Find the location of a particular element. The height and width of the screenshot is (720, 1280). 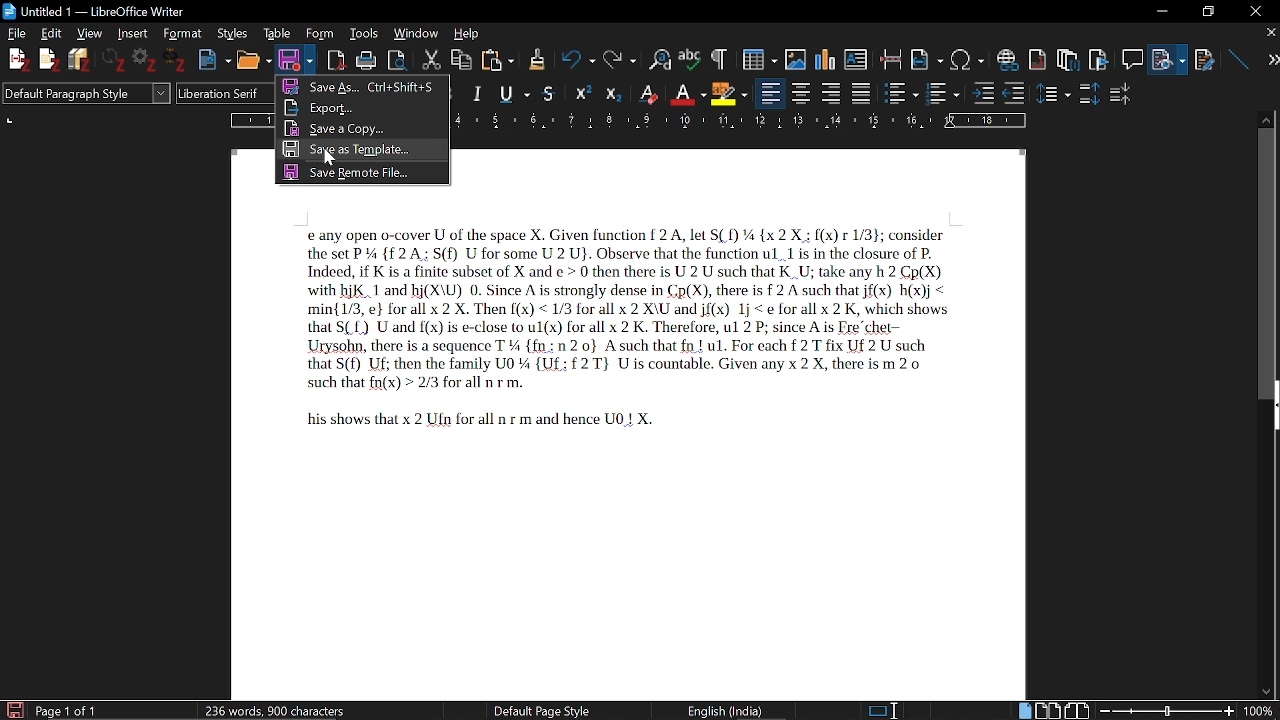

save as a remote file  is located at coordinates (358, 174).